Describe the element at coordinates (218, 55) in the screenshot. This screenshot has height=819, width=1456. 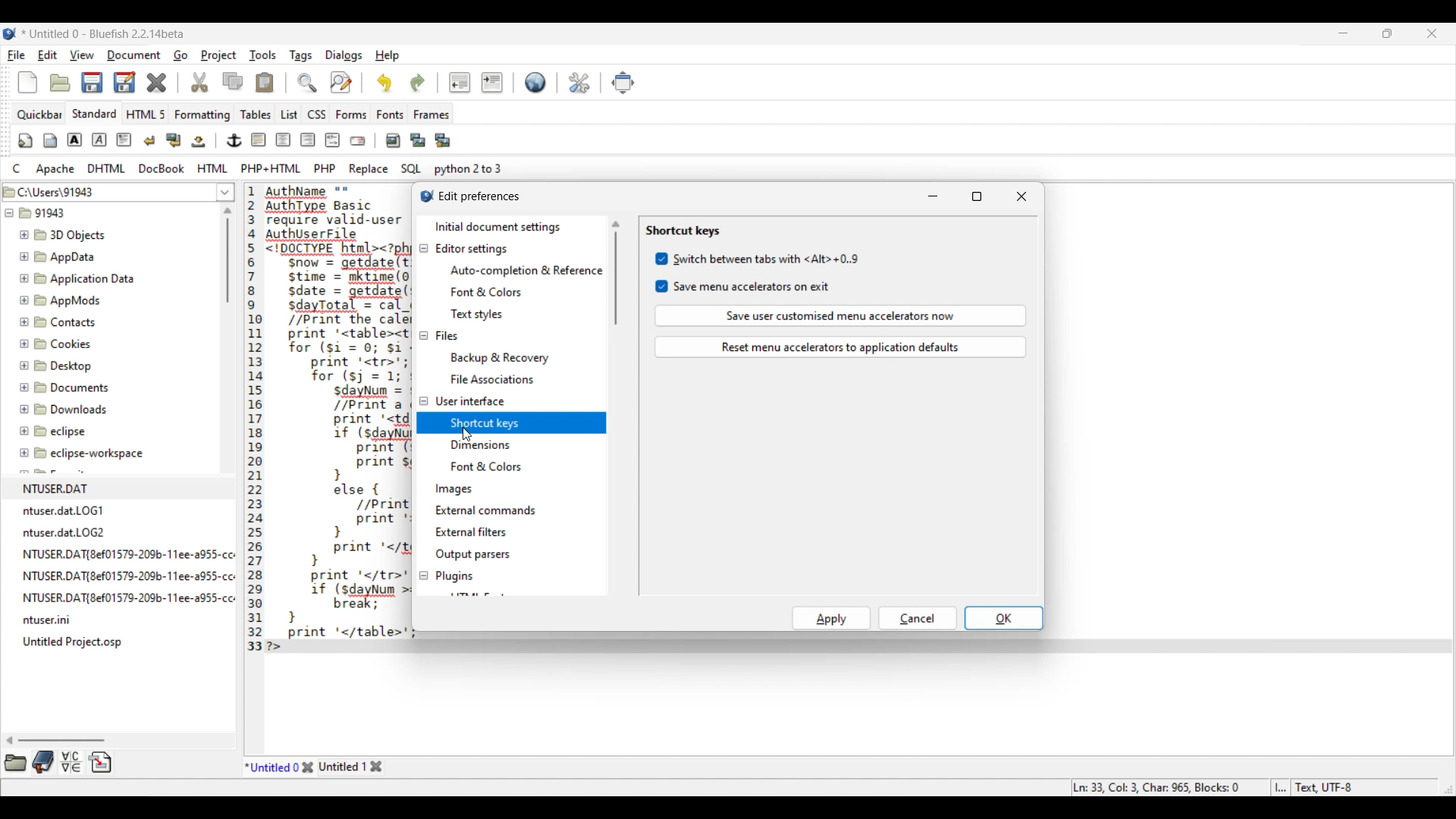
I see `Project menu` at that location.